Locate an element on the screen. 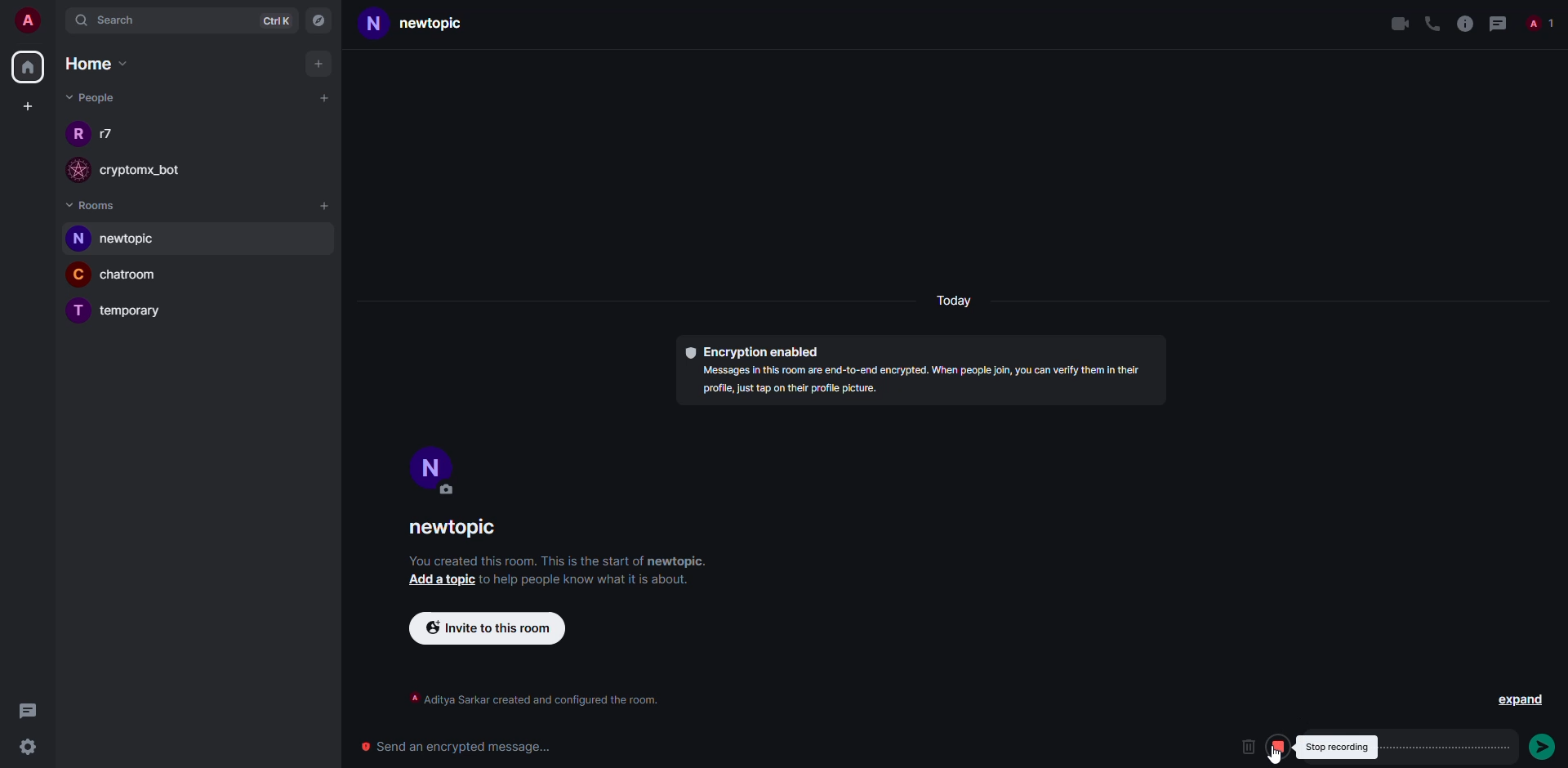 The image size is (1568, 768). C is located at coordinates (78, 276).